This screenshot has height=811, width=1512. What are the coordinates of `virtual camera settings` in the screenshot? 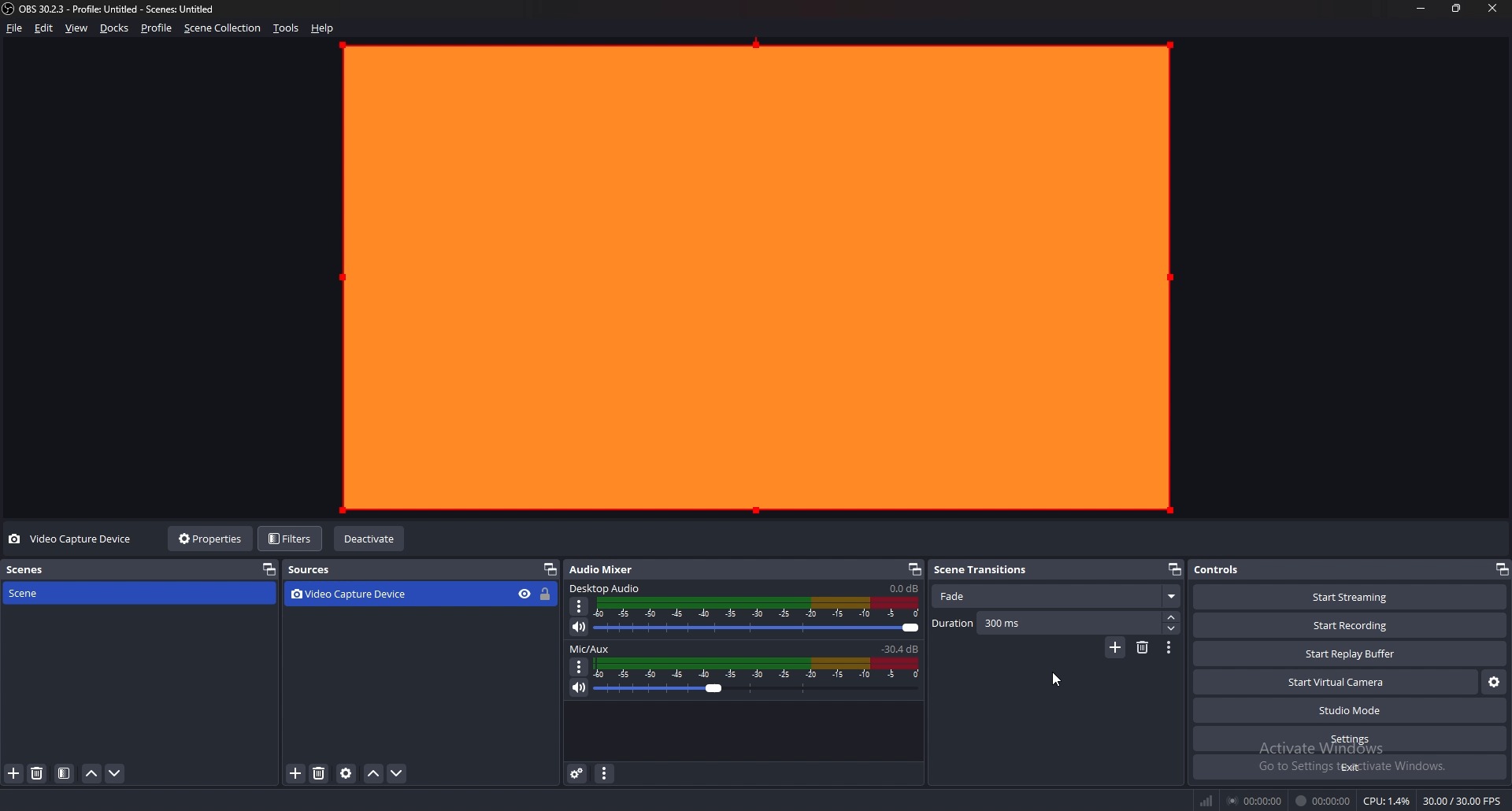 It's located at (1493, 683).